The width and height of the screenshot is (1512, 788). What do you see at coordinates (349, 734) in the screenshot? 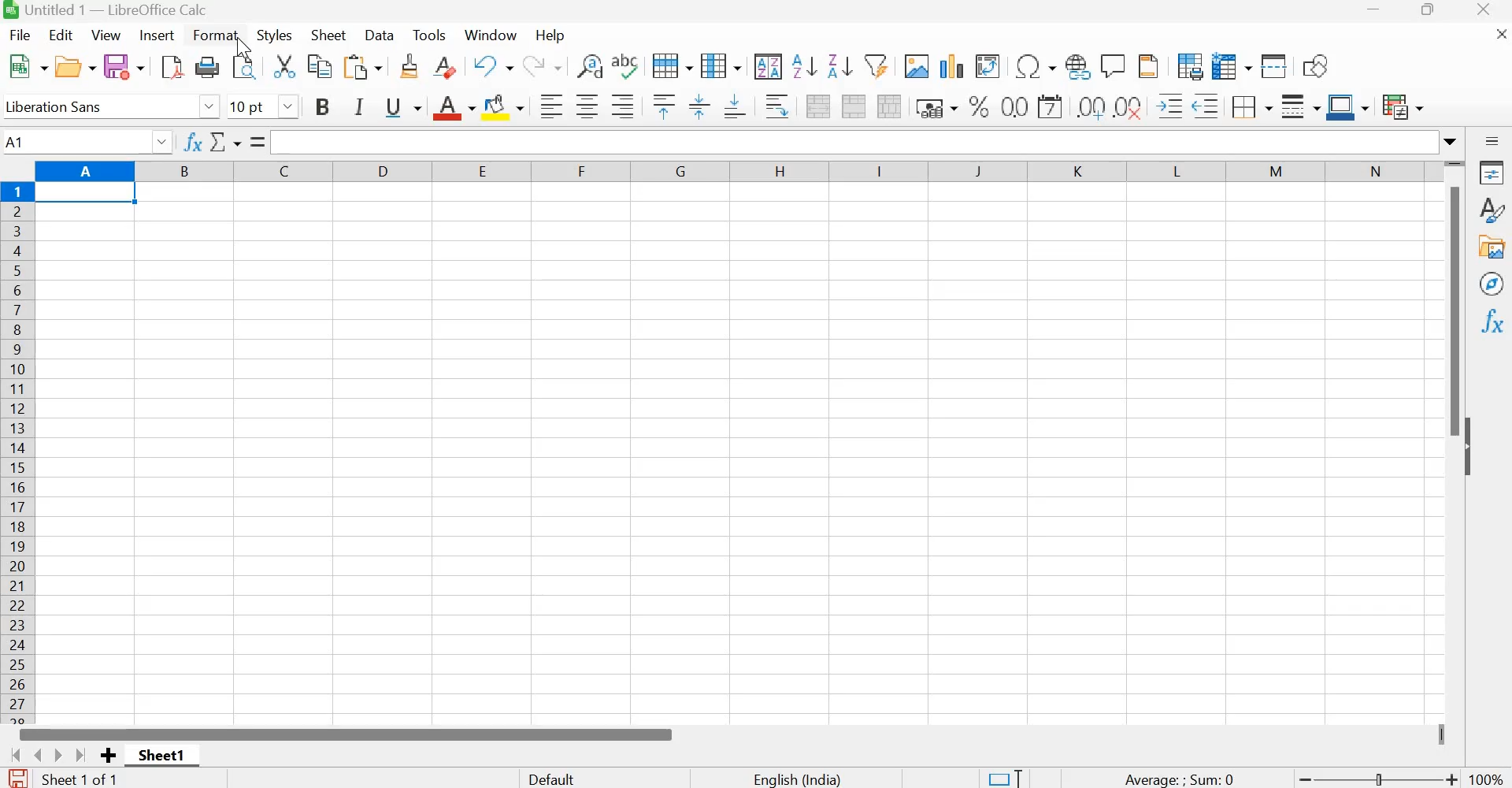
I see `Scrollbar` at bounding box center [349, 734].